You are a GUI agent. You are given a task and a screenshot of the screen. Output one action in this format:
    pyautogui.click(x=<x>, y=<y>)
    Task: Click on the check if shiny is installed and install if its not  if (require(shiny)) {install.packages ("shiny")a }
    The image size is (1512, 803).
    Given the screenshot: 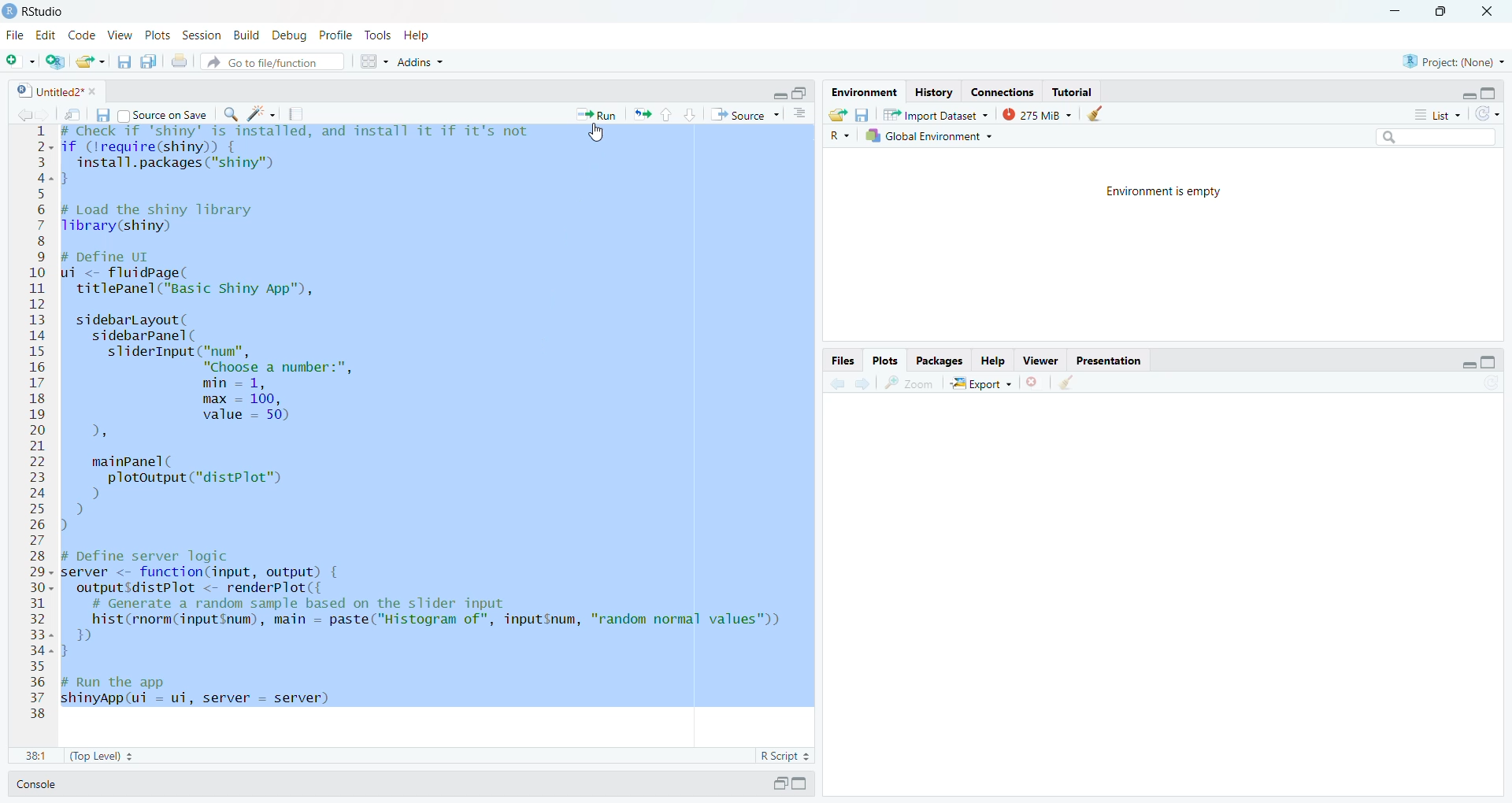 What is the action you would take?
    pyautogui.click(x=295, y=155)
    